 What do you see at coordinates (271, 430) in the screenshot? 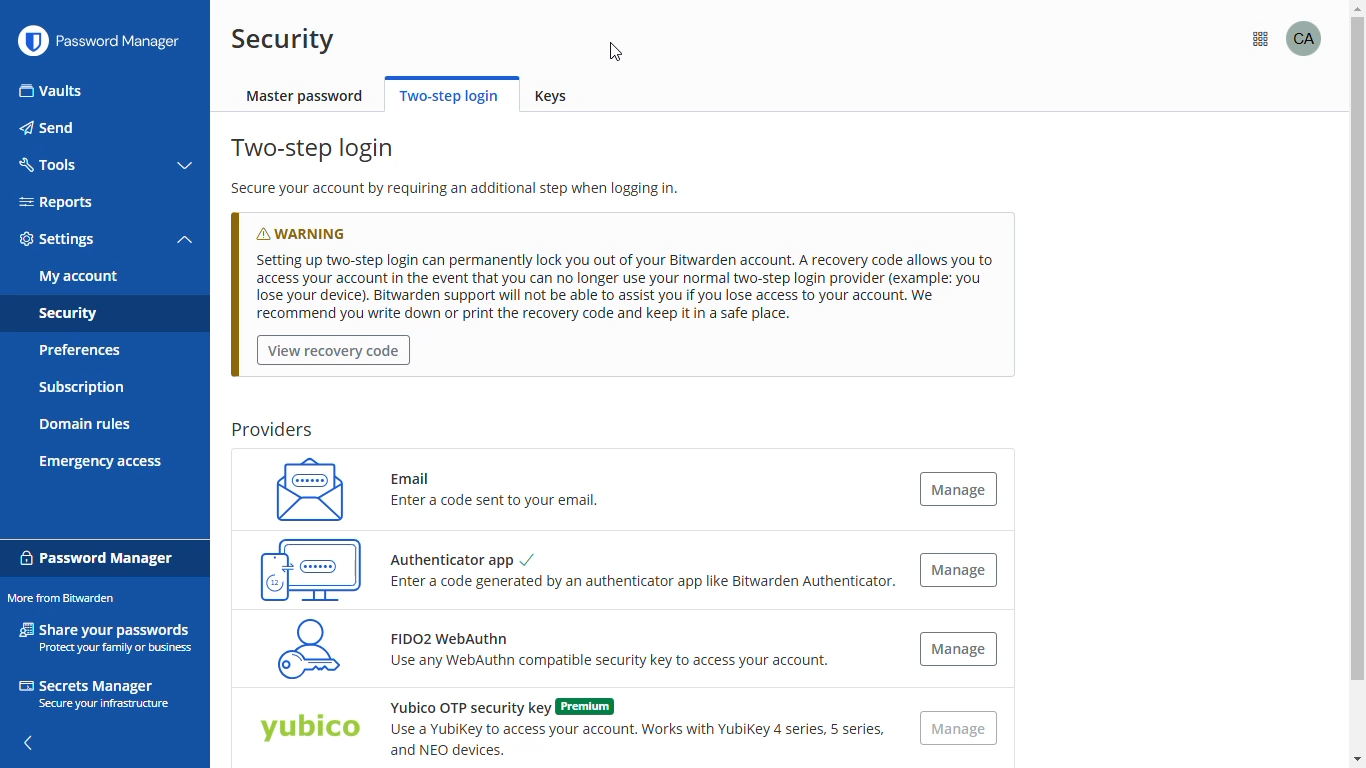
I see `providers` at bounding box center [271, 430].